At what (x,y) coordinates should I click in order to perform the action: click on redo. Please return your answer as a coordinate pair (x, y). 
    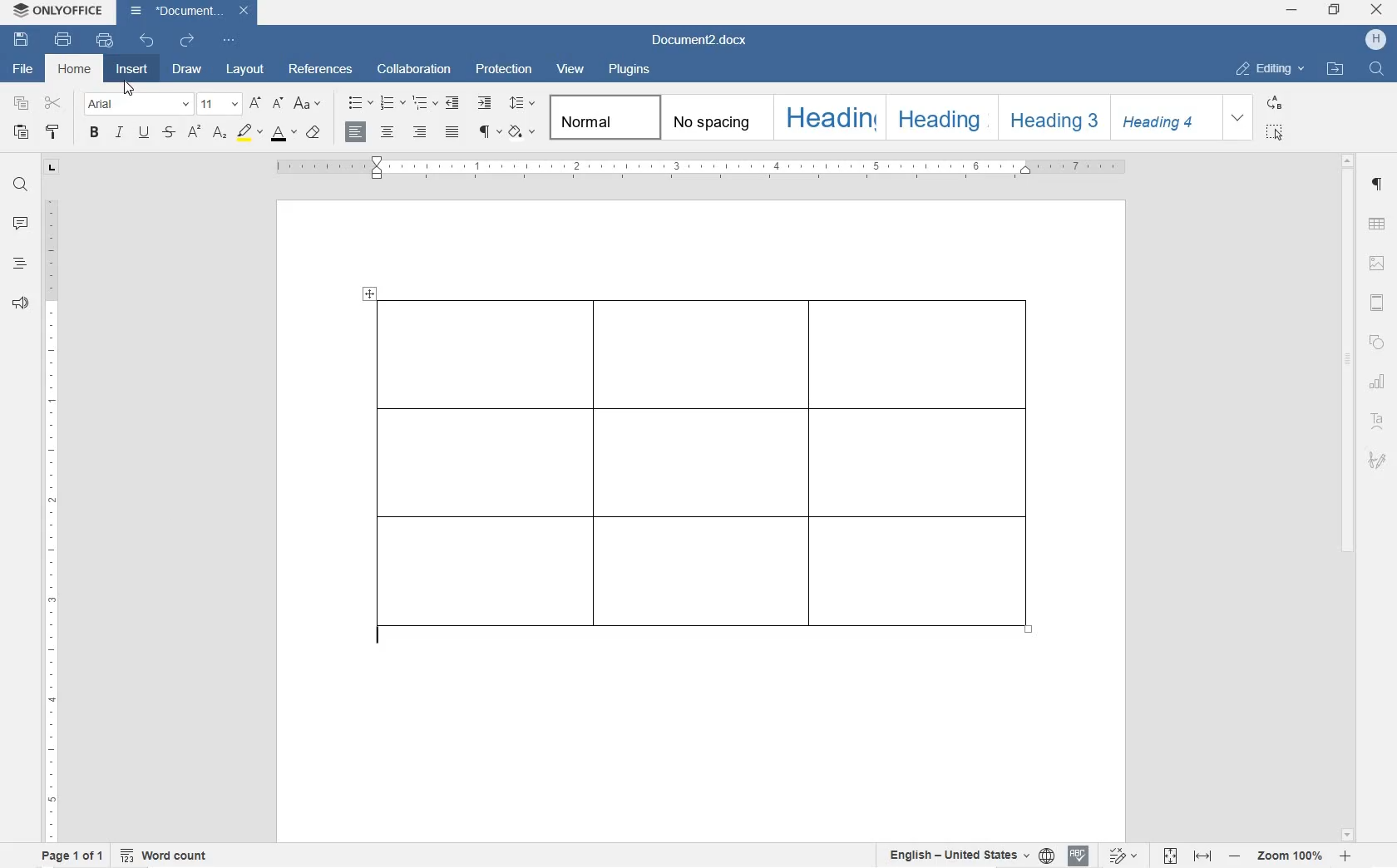
    Looking at the image, I should click on (187, 42).